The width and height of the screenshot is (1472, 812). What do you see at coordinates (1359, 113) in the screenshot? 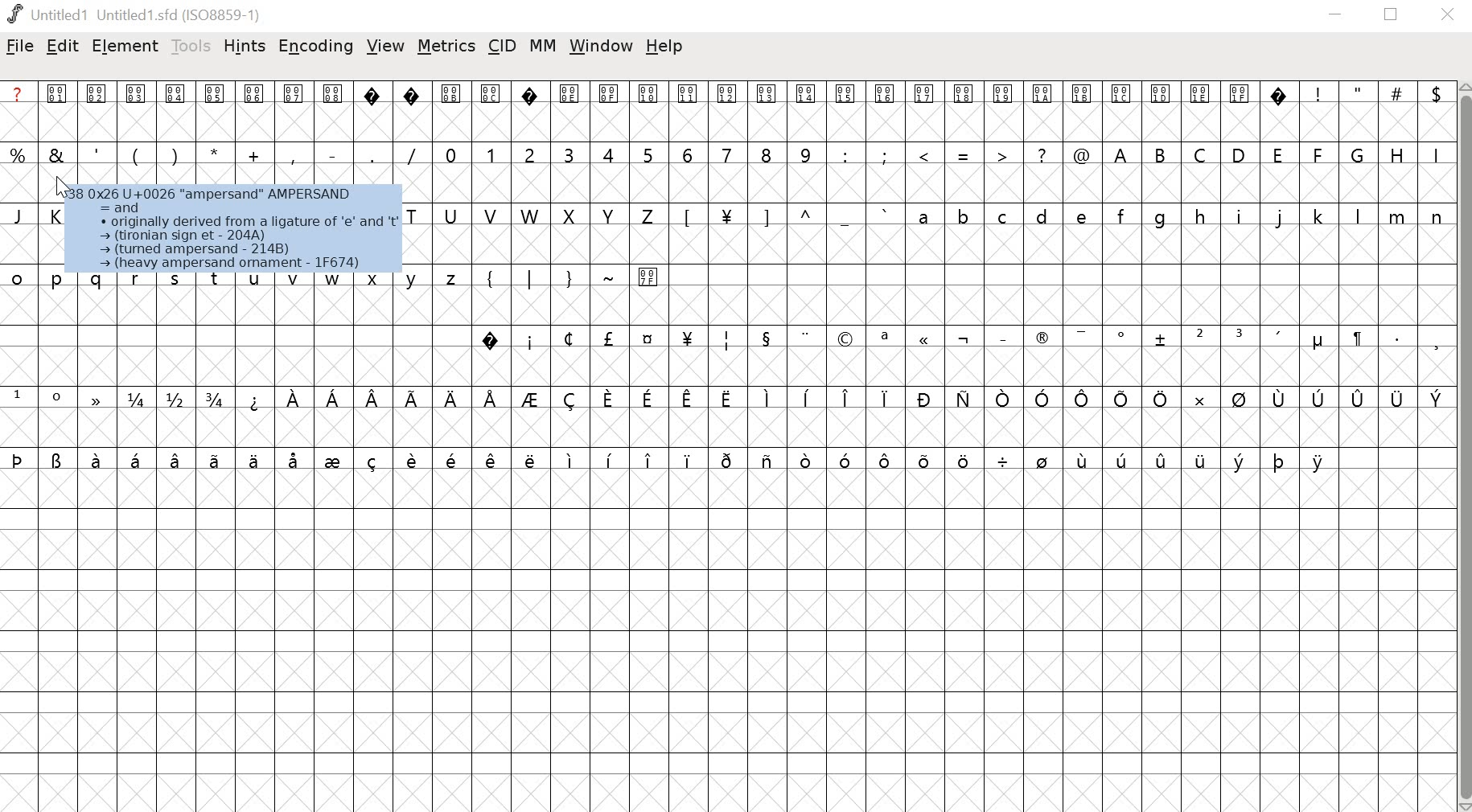
I see `"` at bounding box center [1359, 113].